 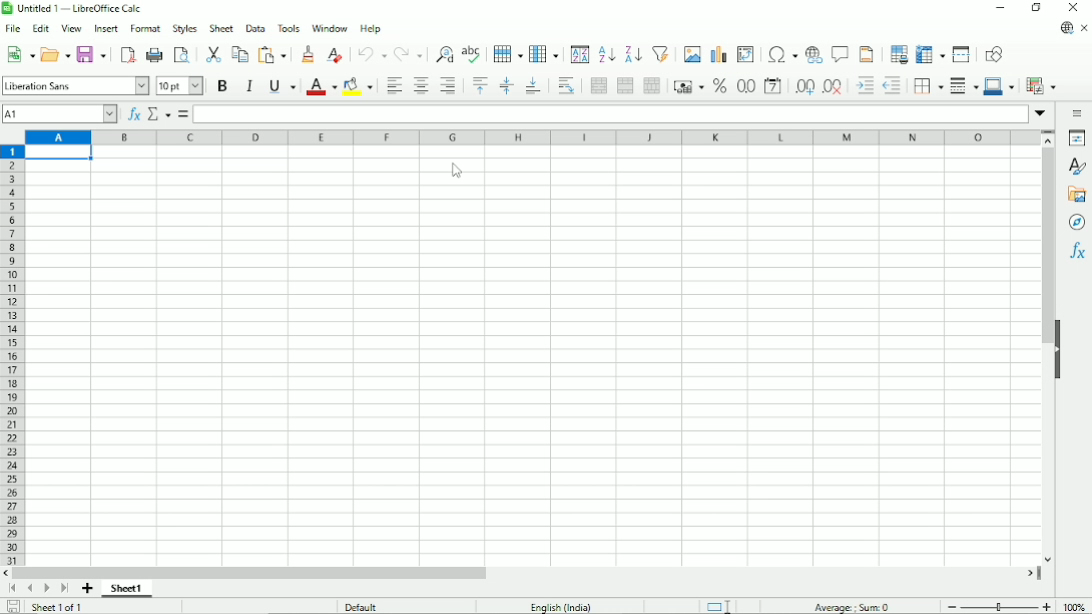 What do you see at coordinates (1001, 9) in the screenshot?
I see `Minimize` at bounding box center [1001, 9].